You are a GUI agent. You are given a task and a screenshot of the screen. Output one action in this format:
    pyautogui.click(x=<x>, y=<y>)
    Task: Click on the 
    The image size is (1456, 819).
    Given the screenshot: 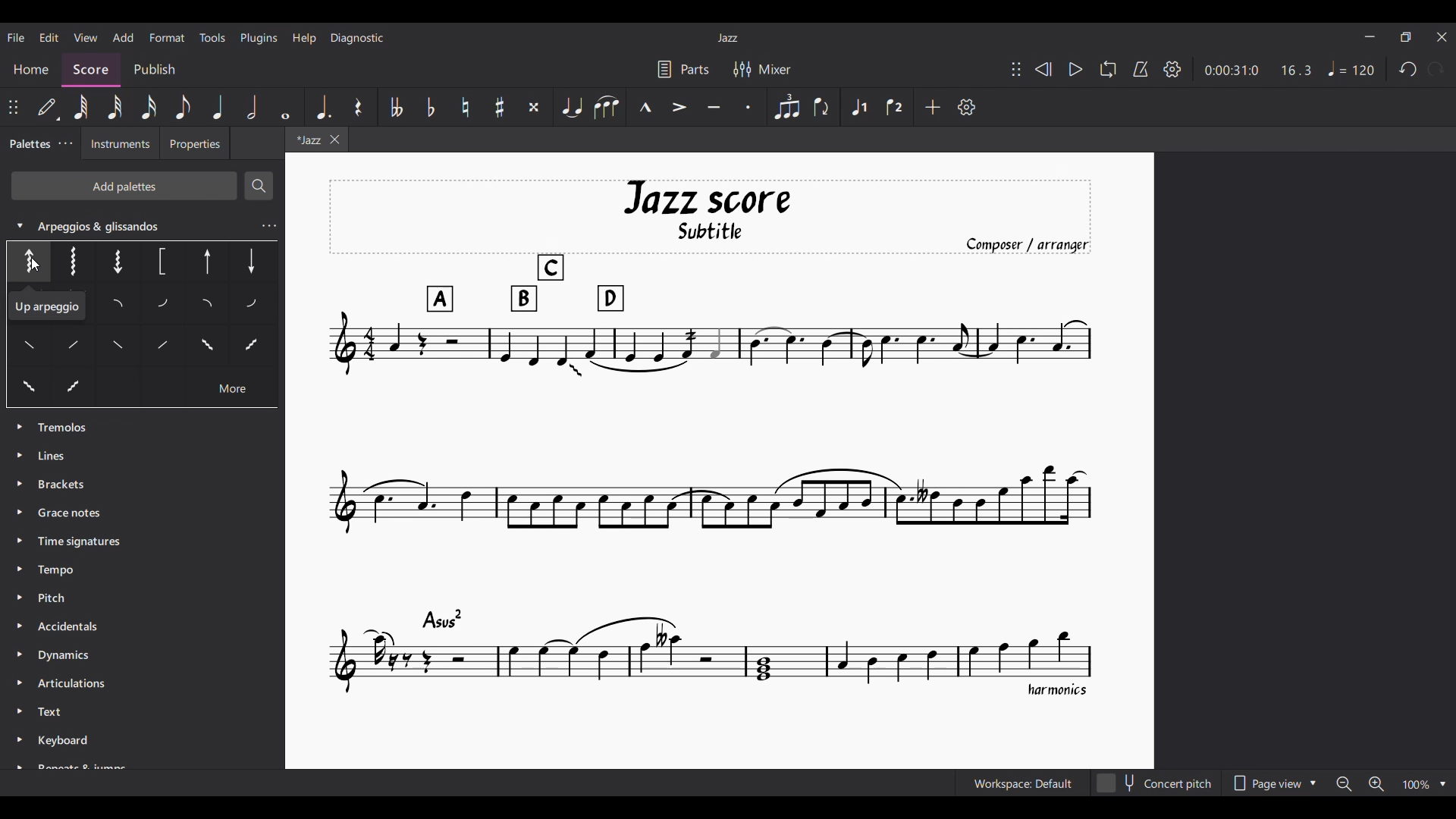 What is the action you would take?
    pyautogui.click(x=208, y=344)
    